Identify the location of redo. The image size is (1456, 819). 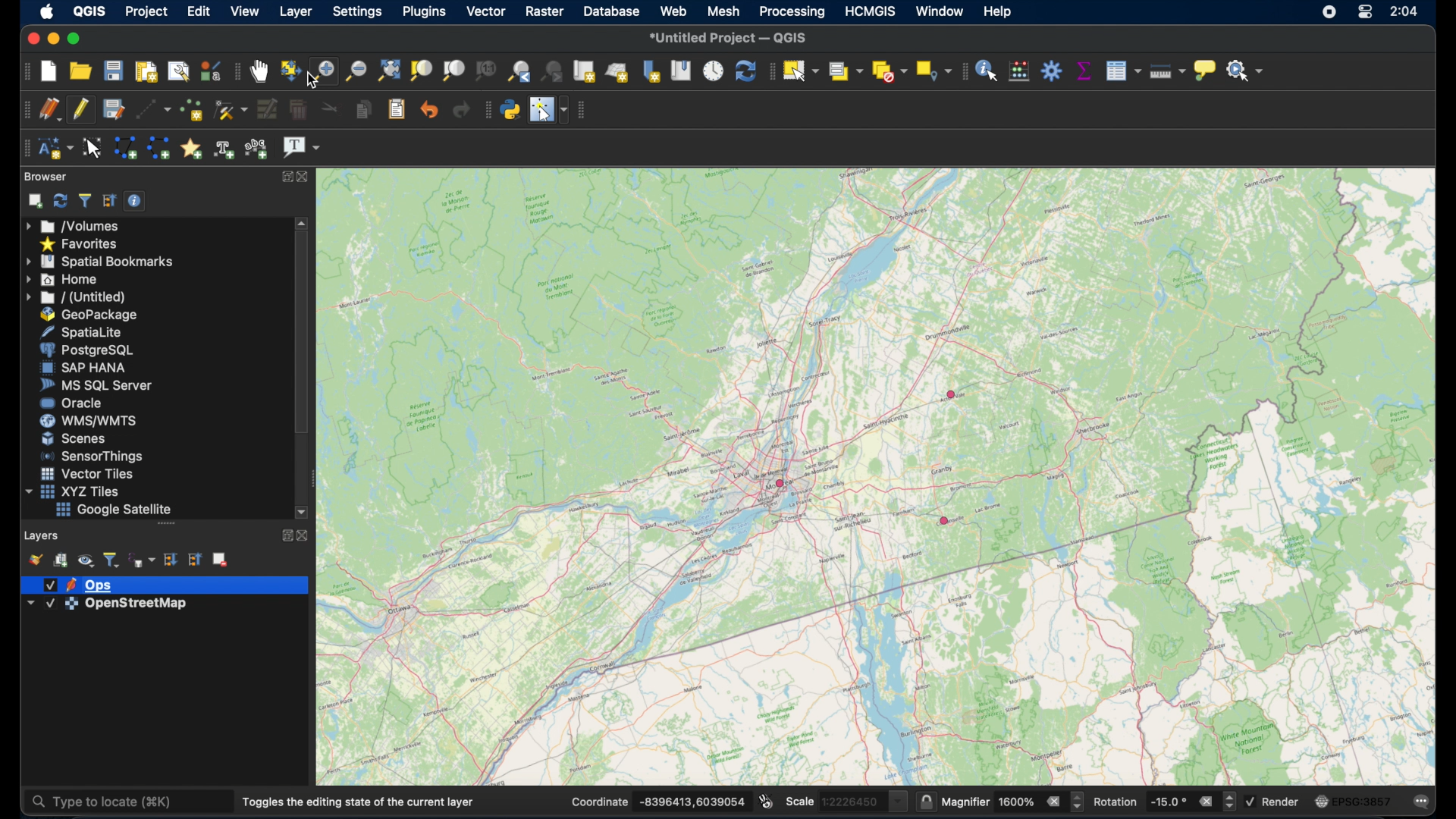
(459, 110).